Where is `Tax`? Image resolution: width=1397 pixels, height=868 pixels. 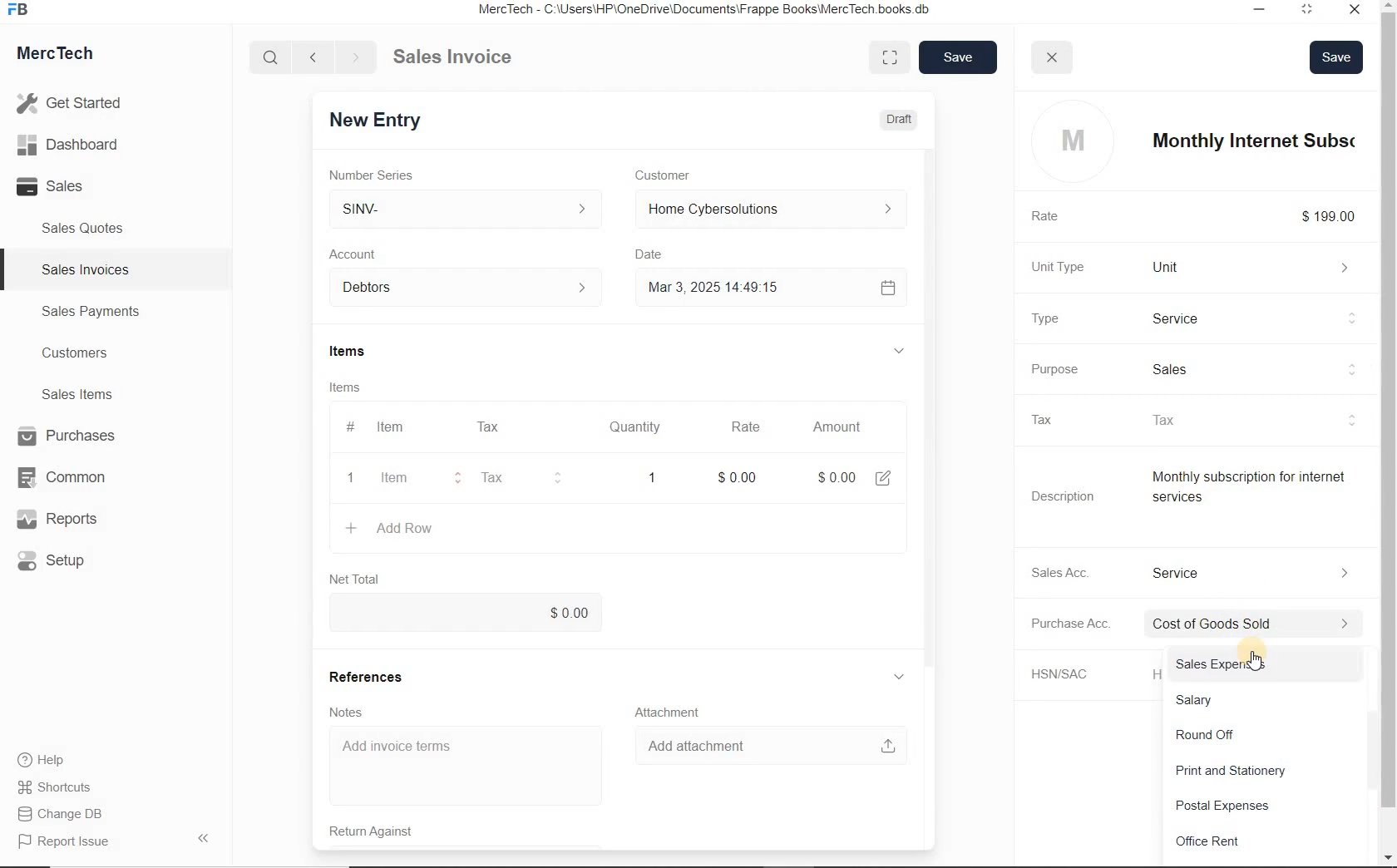
Tax is located at coordinates (518, 478).